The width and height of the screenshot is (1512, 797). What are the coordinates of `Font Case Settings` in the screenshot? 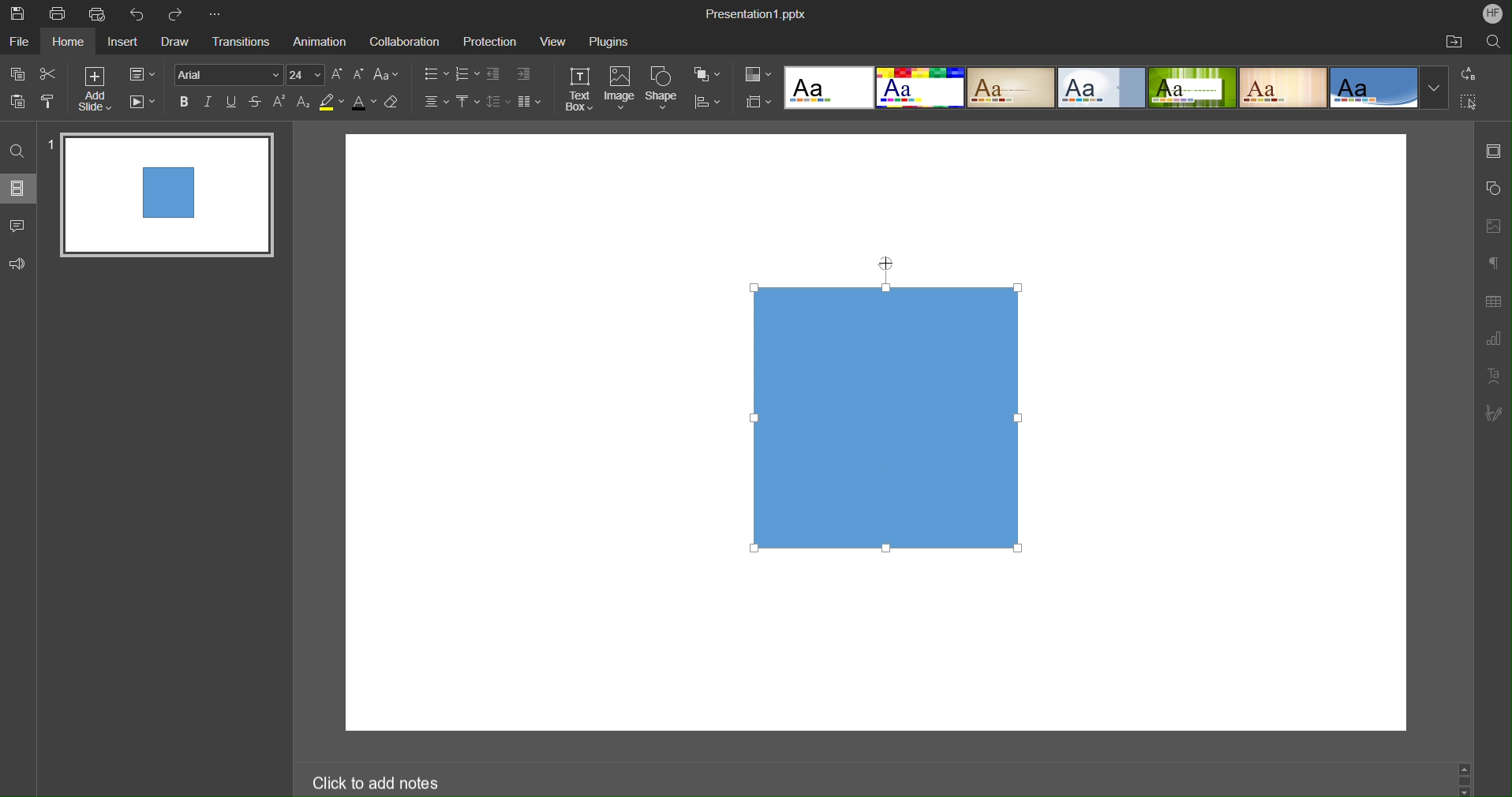 It's located at (386, 75).